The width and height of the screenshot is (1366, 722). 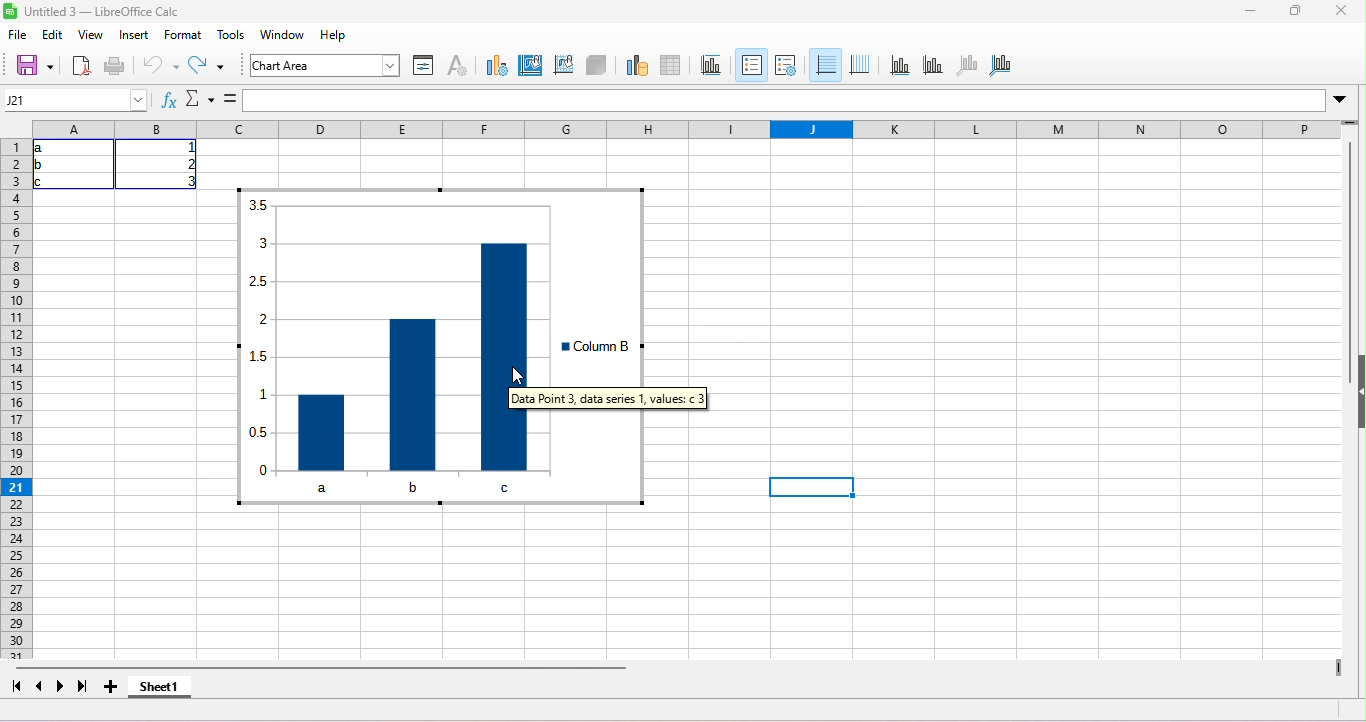 What do you see at coordinates (64, 689) in the screenshot?
I see `next sheet` at bounding box center [64, 689].